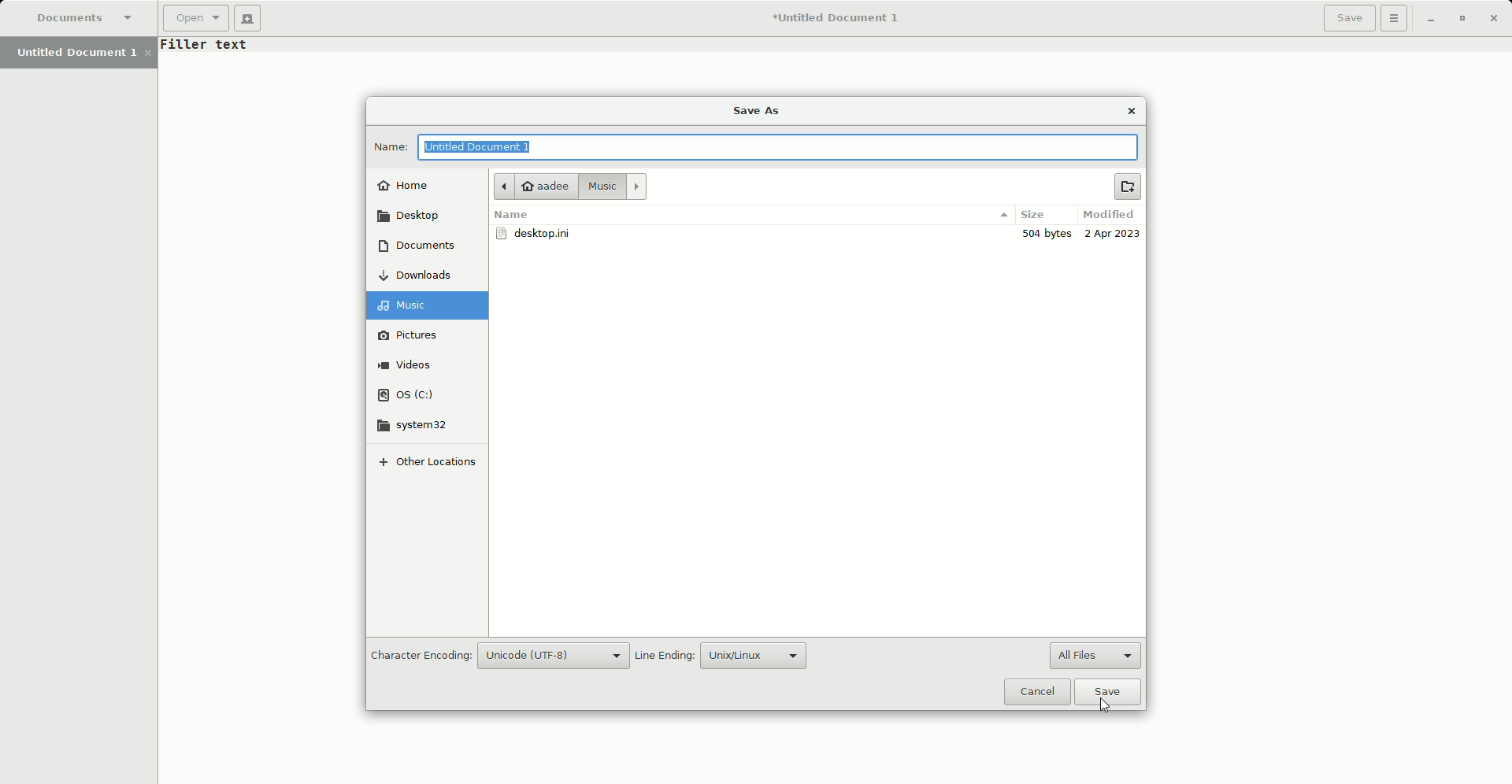  Describe the element at coordinates (1048, 237) in the screenshot. I see `504 bytes` at that location.